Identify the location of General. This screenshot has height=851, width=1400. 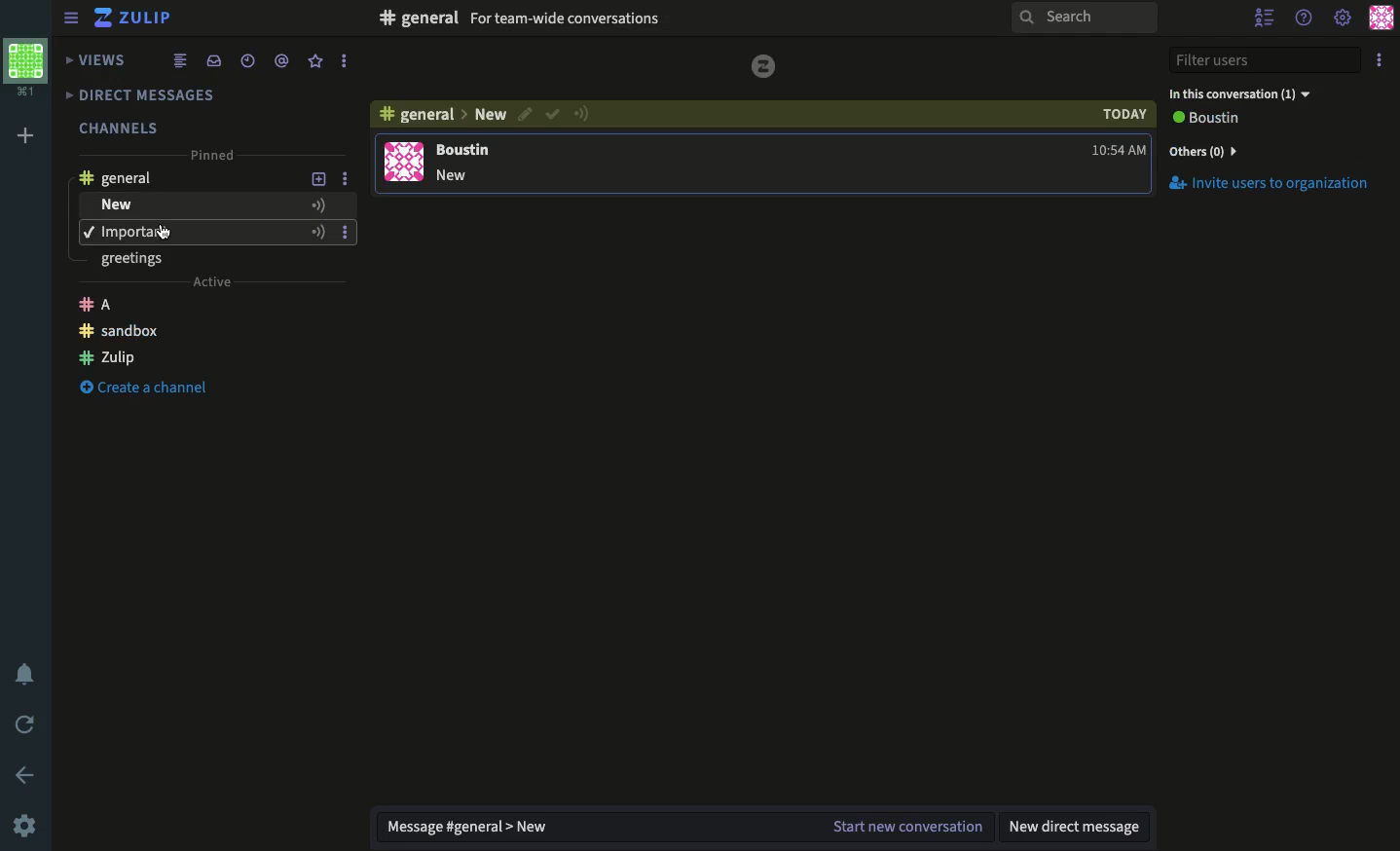
(125, 177).